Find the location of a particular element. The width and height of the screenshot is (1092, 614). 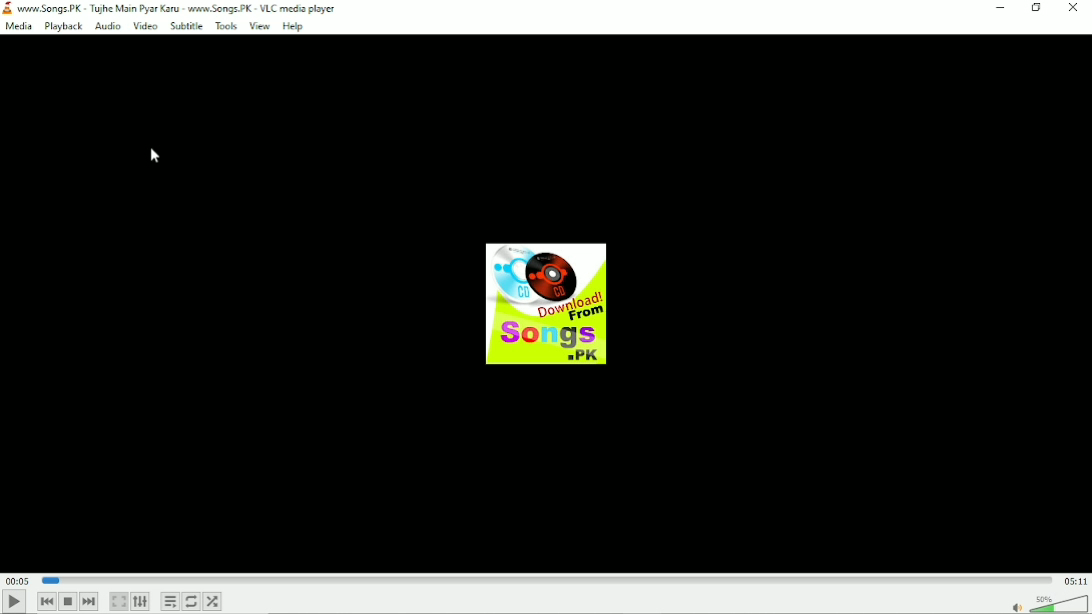

Play is located at coordinates (14, 599).